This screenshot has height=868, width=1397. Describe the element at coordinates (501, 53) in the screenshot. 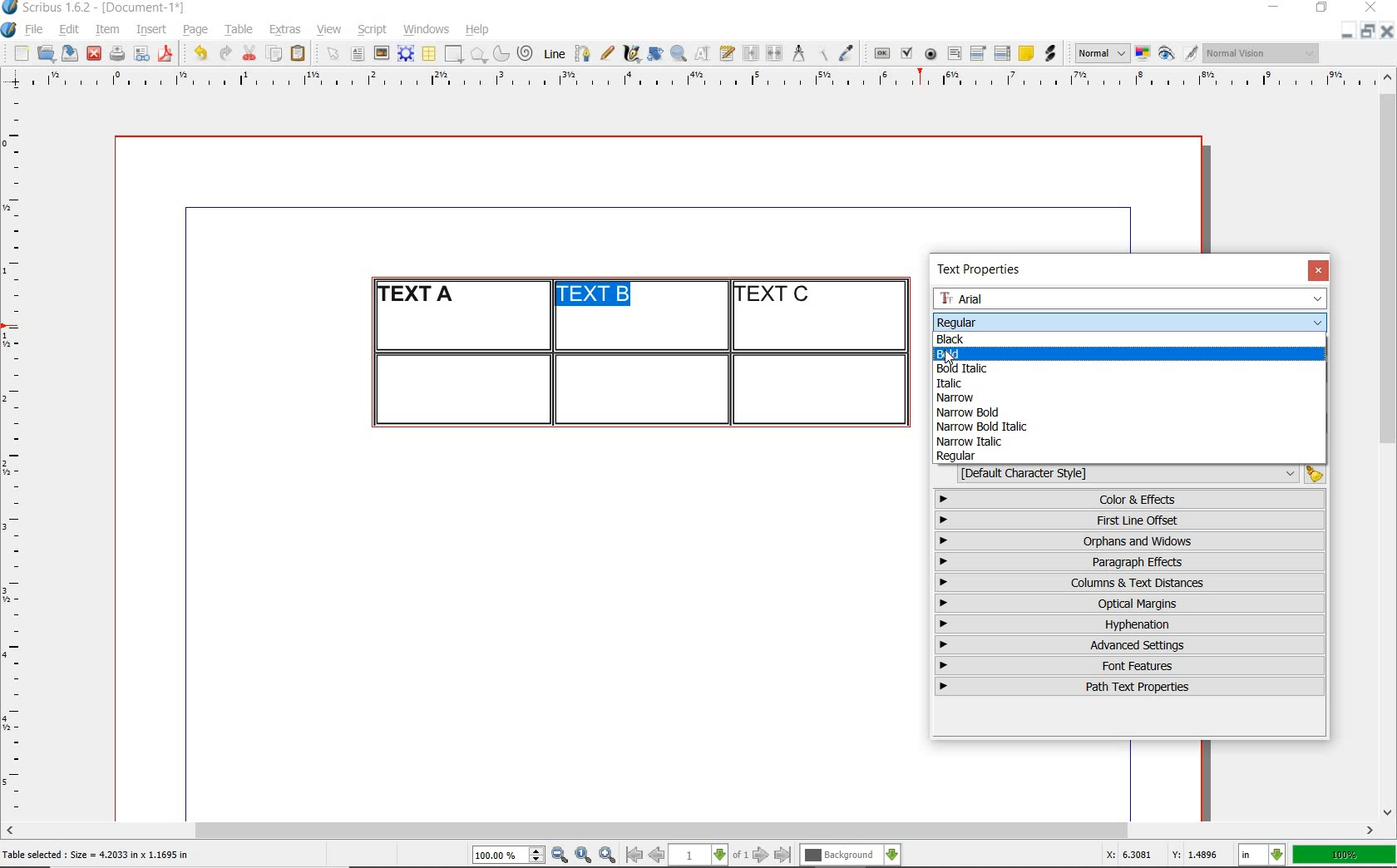

I see `arc` at that location.